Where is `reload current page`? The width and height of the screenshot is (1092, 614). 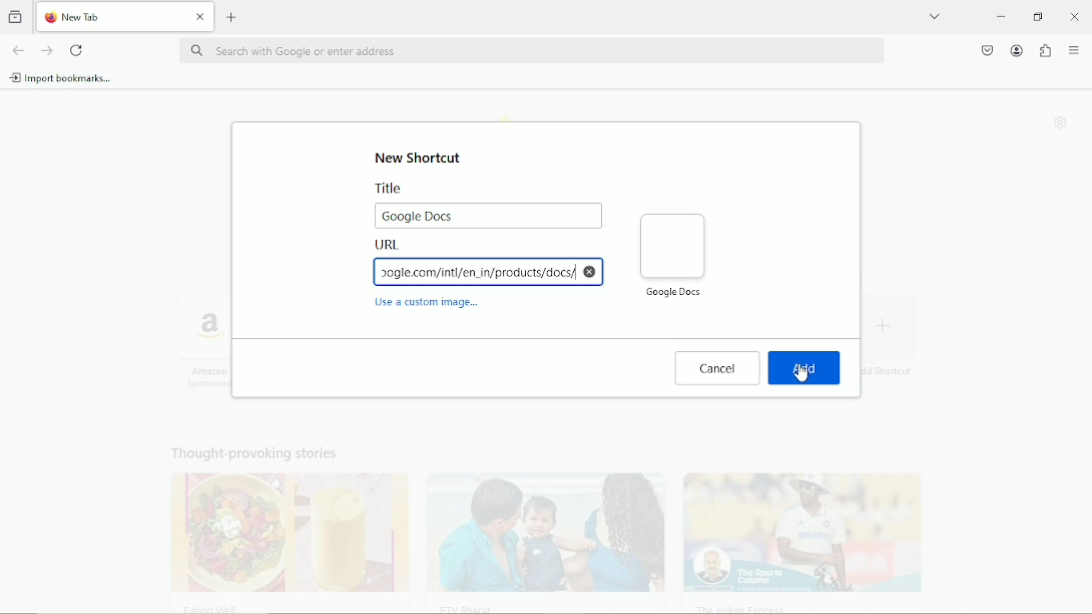 reload current page is located at coordinates (77, 50).